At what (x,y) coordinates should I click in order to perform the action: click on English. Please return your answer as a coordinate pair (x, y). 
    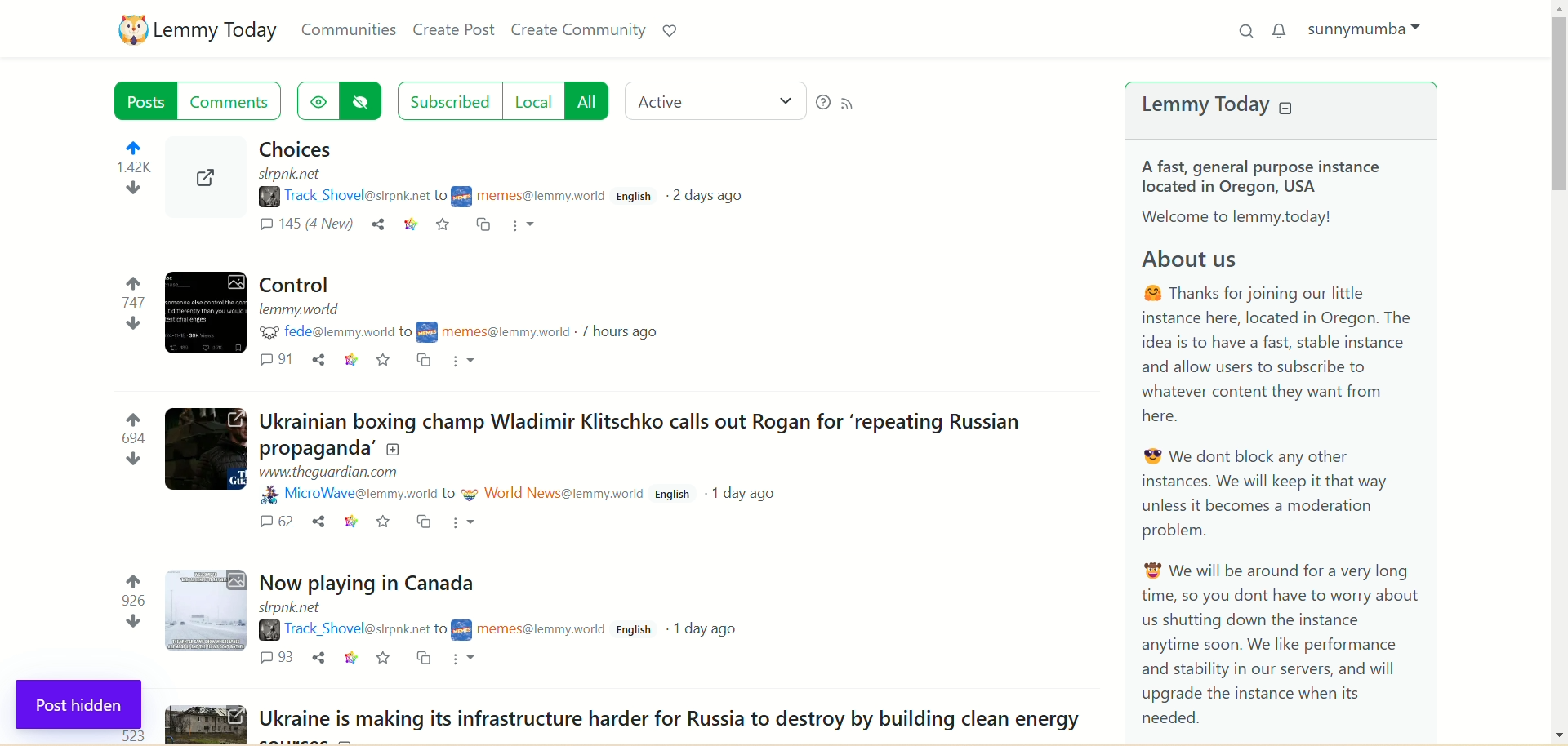
    Looking at the image, I should click on (676, 495).